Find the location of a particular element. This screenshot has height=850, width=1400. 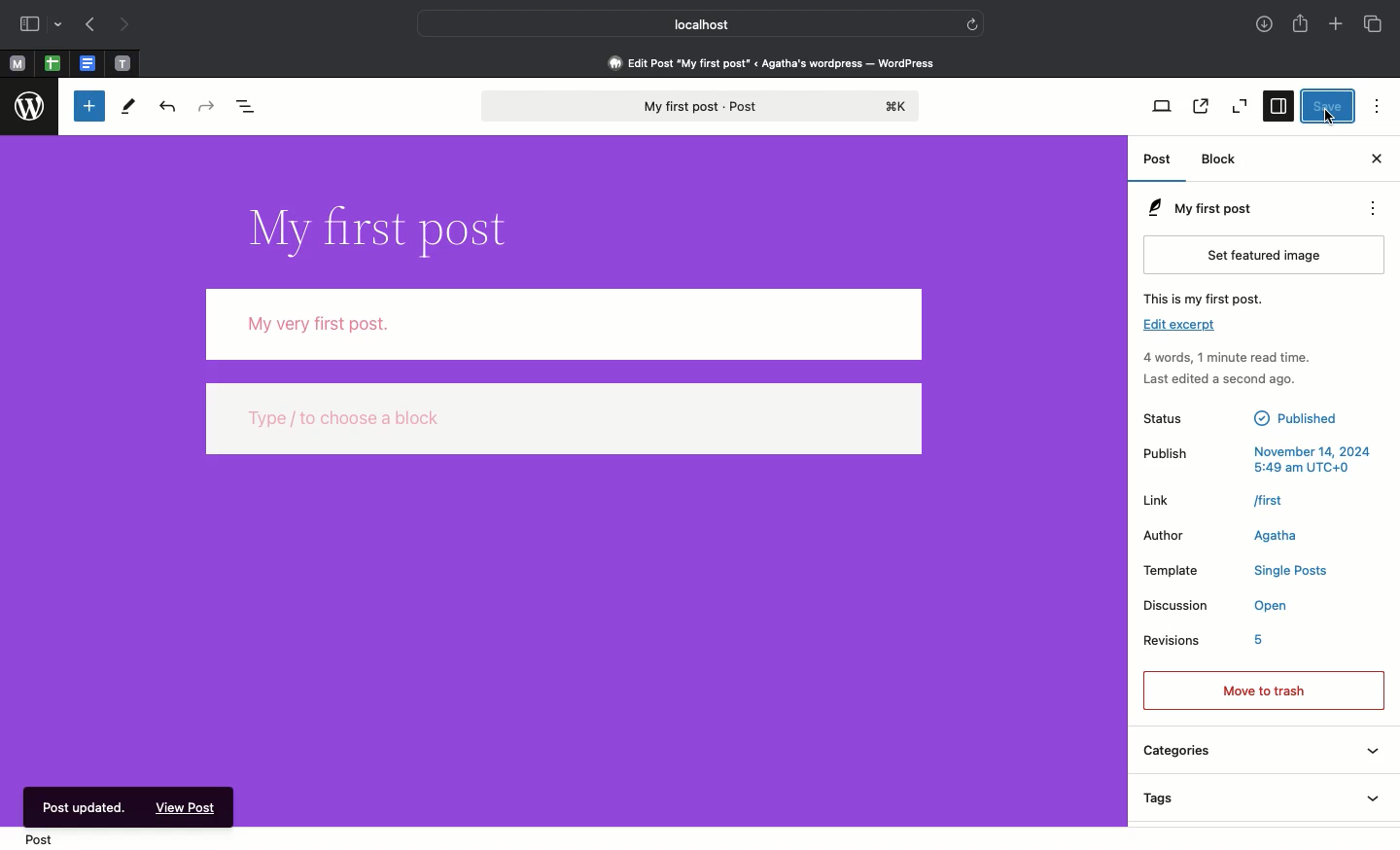

My very first post. is located at coordinates (563, 326).